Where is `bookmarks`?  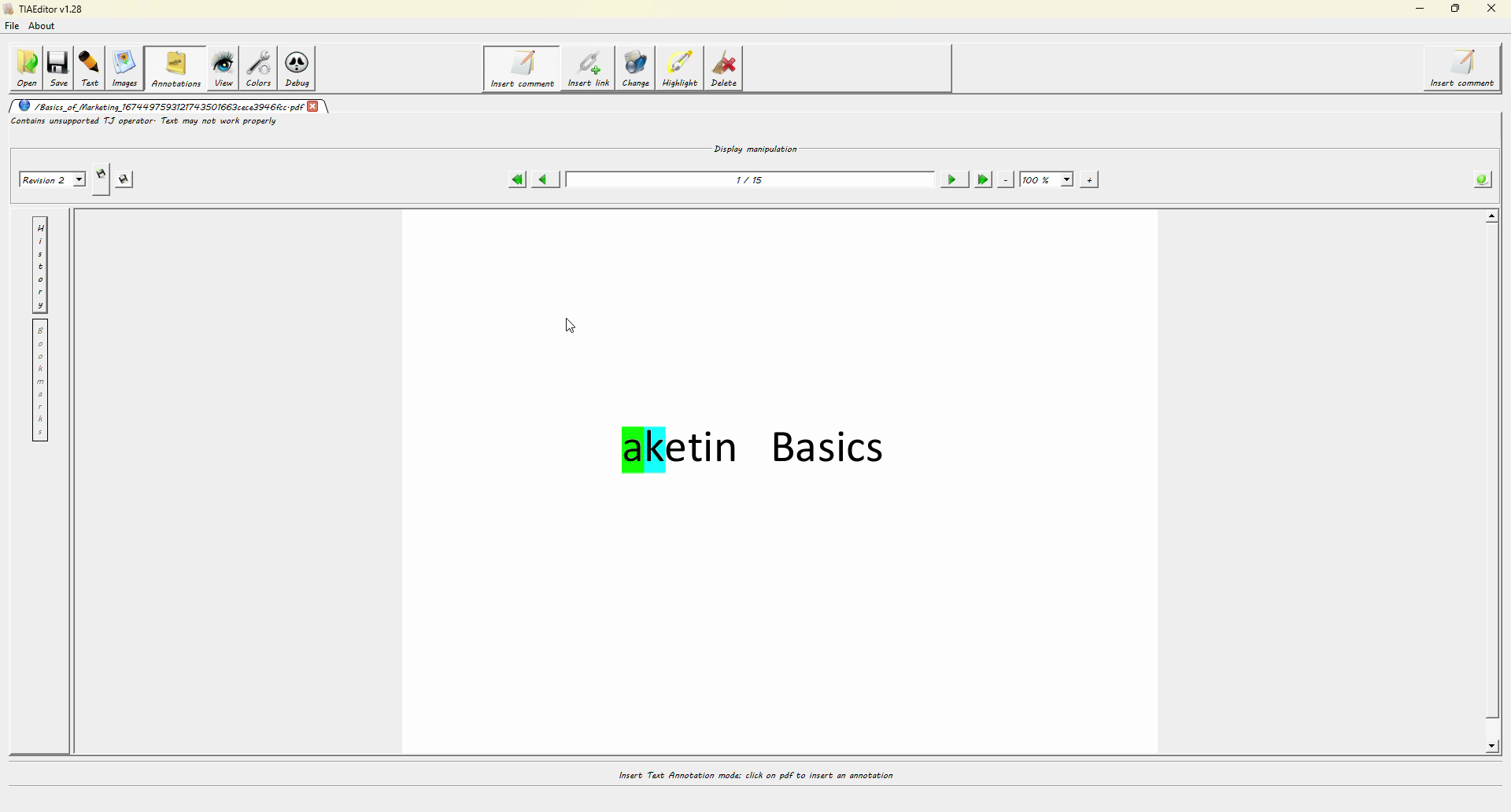 bookmarks is located at coordinates (39, 381).